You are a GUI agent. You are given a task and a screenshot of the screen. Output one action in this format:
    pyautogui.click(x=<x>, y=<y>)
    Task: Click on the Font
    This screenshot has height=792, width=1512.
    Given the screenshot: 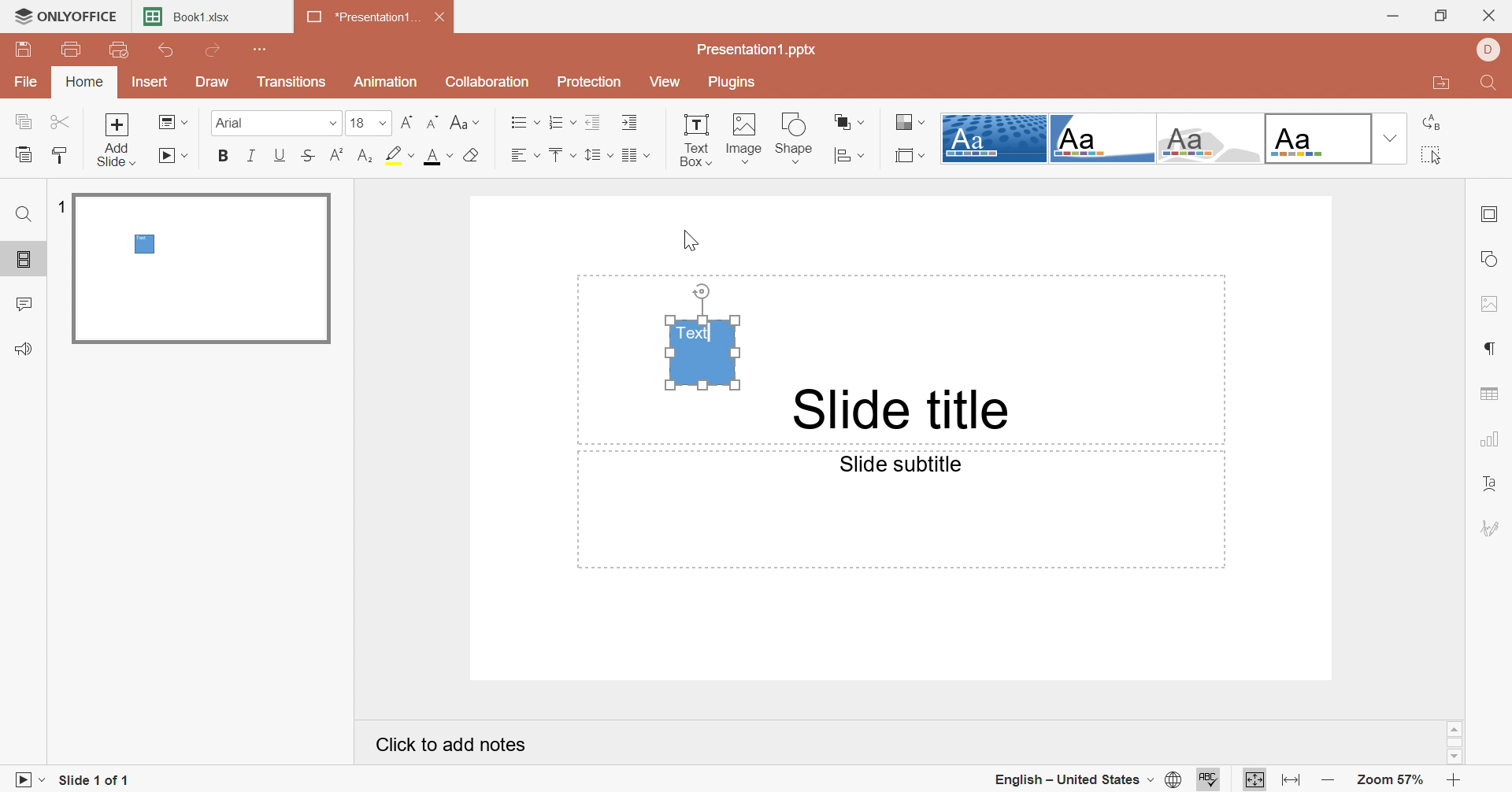 What is the action you would take?
    pyautogui.click(x=262, y=124)
    